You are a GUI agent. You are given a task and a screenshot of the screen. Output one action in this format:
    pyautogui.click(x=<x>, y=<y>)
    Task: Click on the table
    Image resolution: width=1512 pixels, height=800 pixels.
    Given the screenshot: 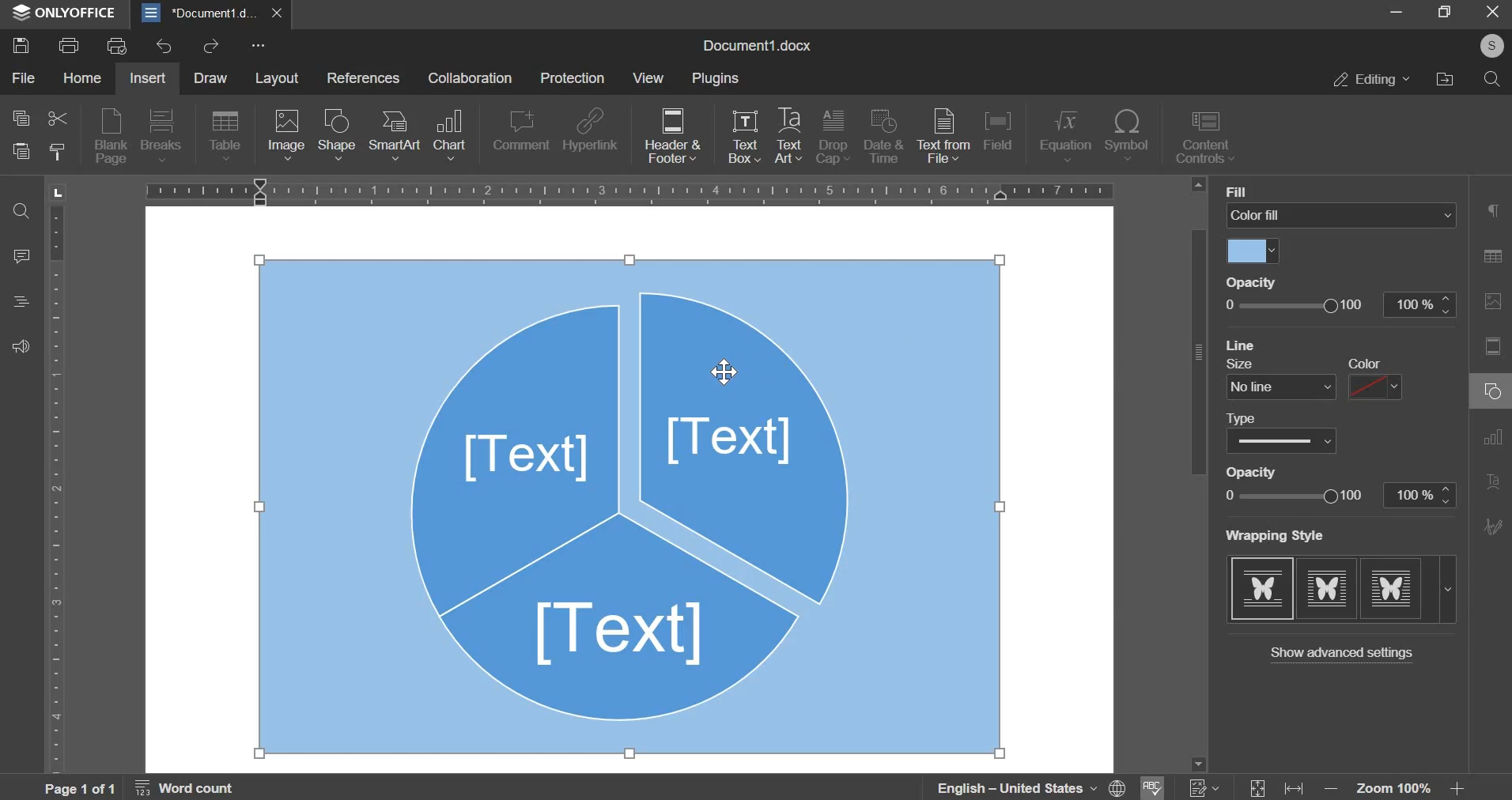 What is the action you would take?
    pyautogui.click(x=225, y=137)
    